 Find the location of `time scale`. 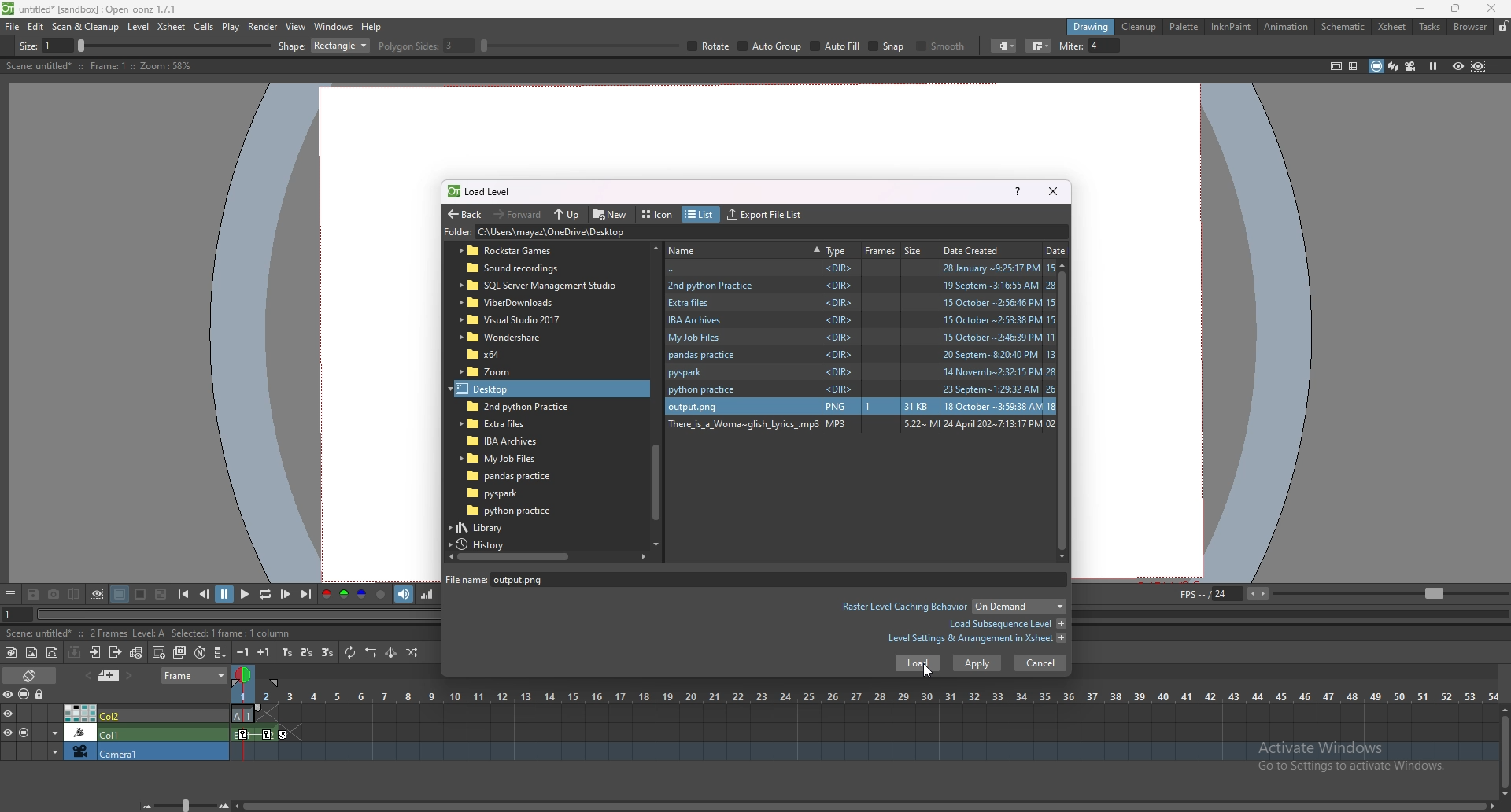

time scale is located at coordinates (865, 696).